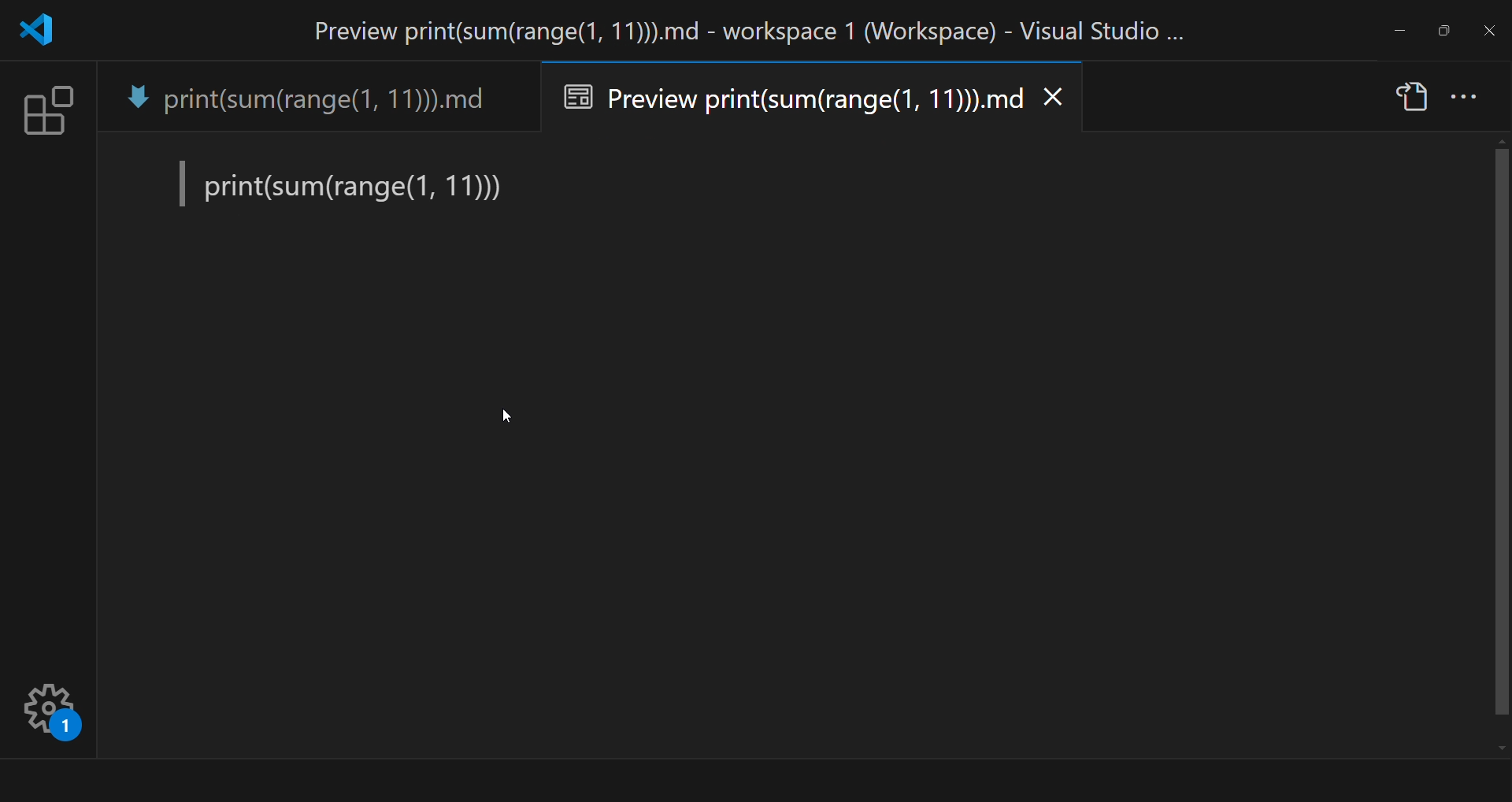 The image size is (1512, 802). What do you see at coordinates (40, 31) in the screenshot?
I see `logo` at bounding box center [40, 31].